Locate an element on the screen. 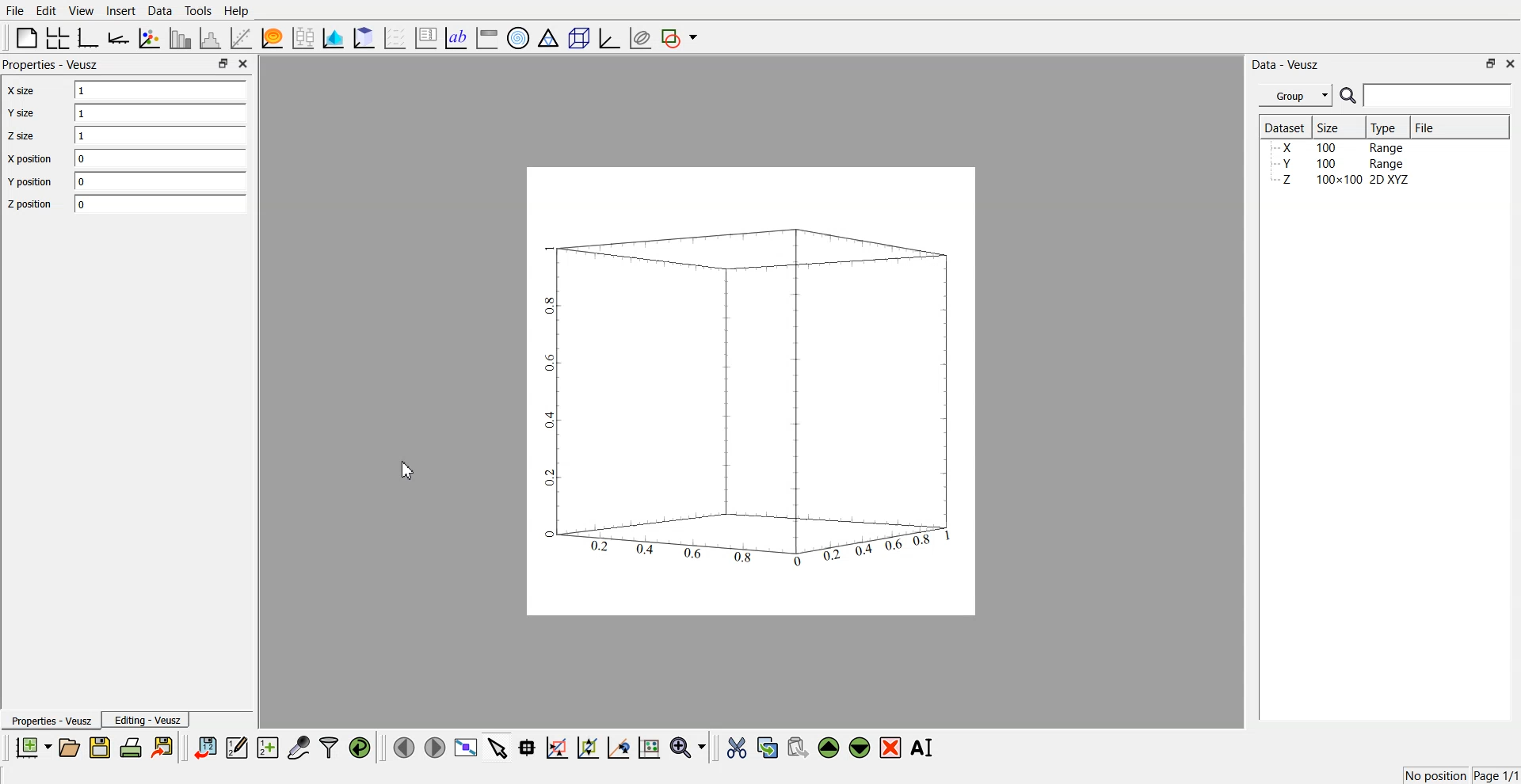 The width and height of the screenshot is (1521, 784). Draw a rectangle to zoom graph axes is located at coordinates (556, 748).